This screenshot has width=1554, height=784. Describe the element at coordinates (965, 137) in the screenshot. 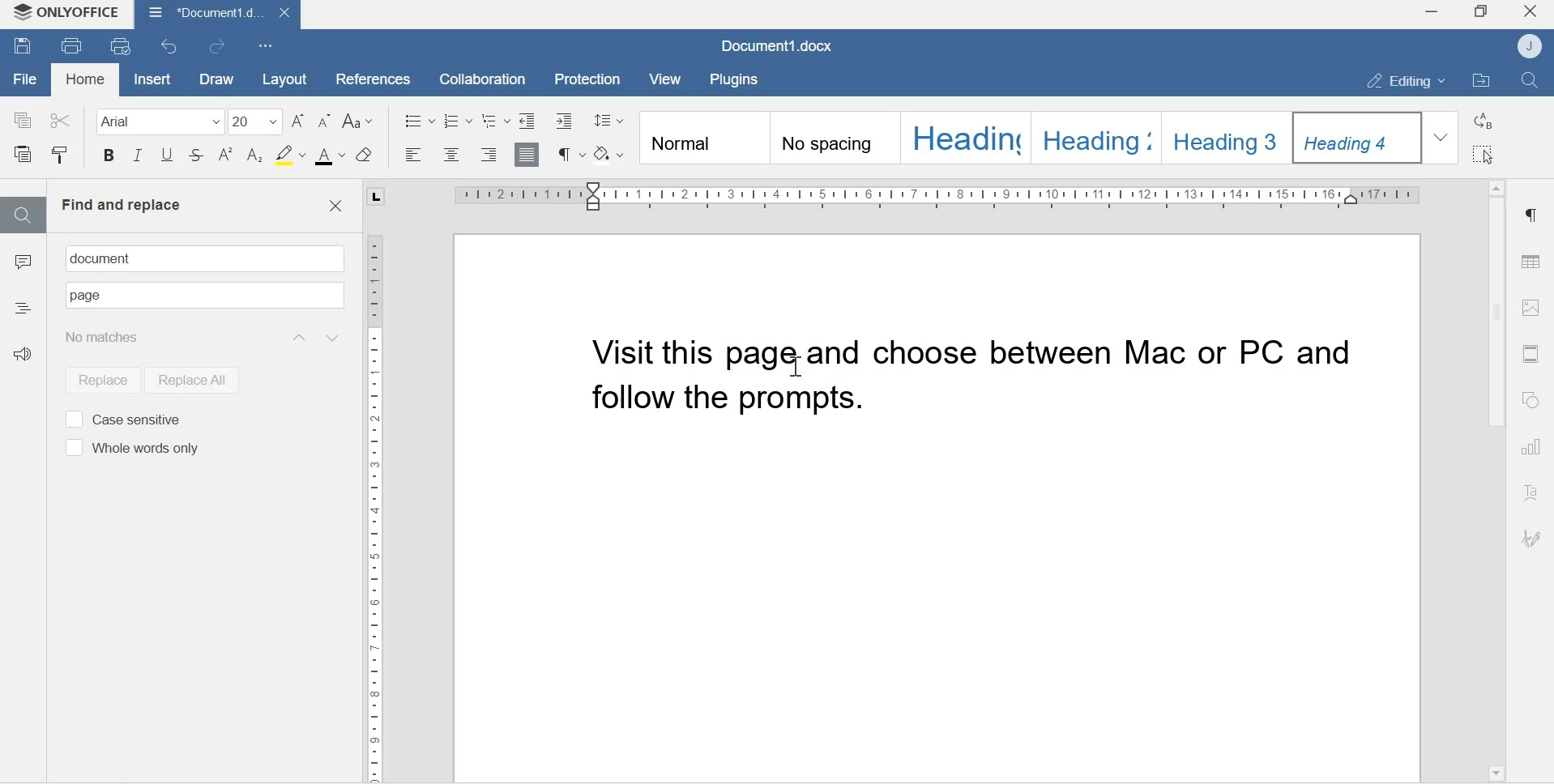

I see `Heading 1` at that location.